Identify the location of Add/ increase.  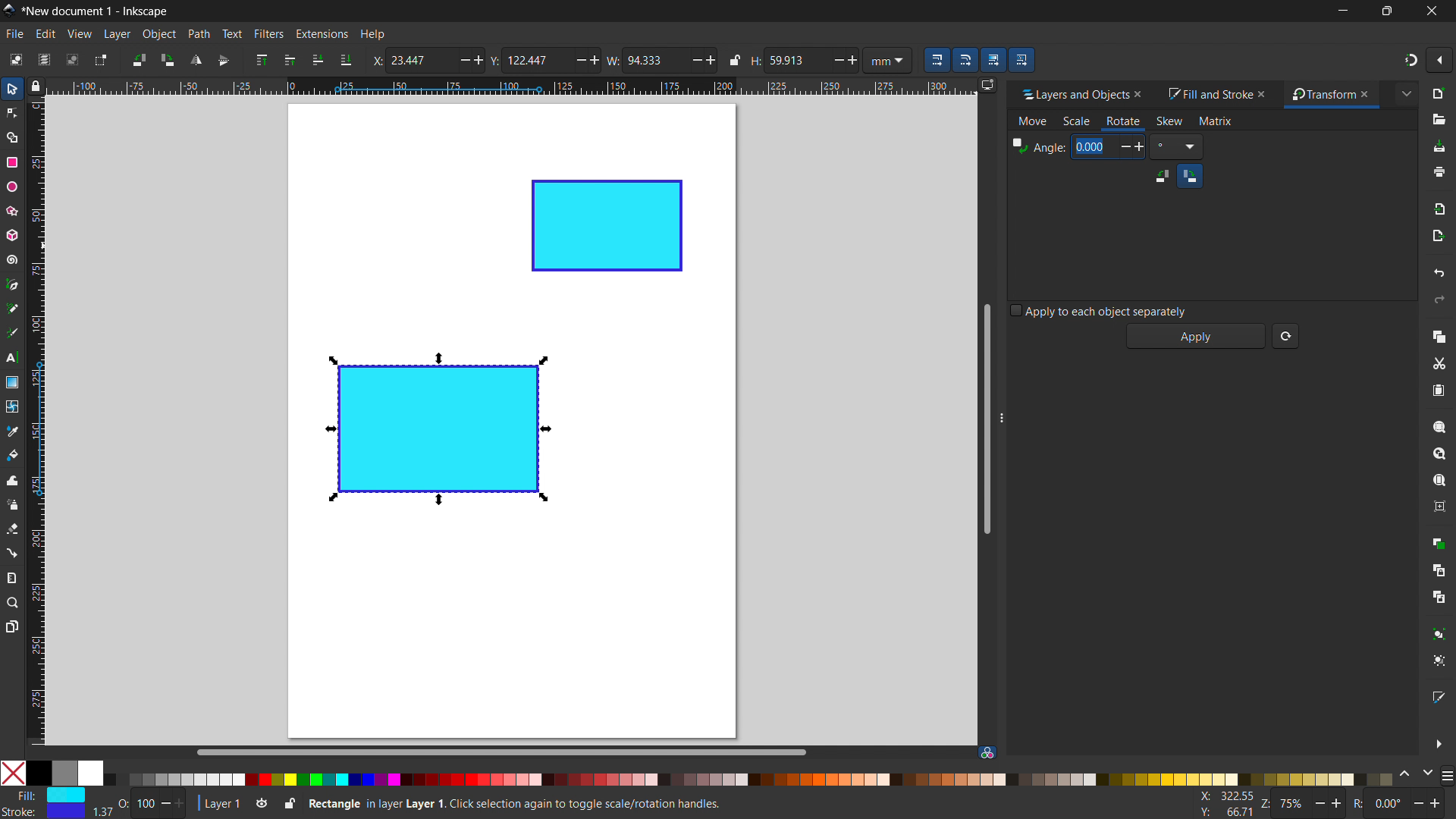
(597, 60).